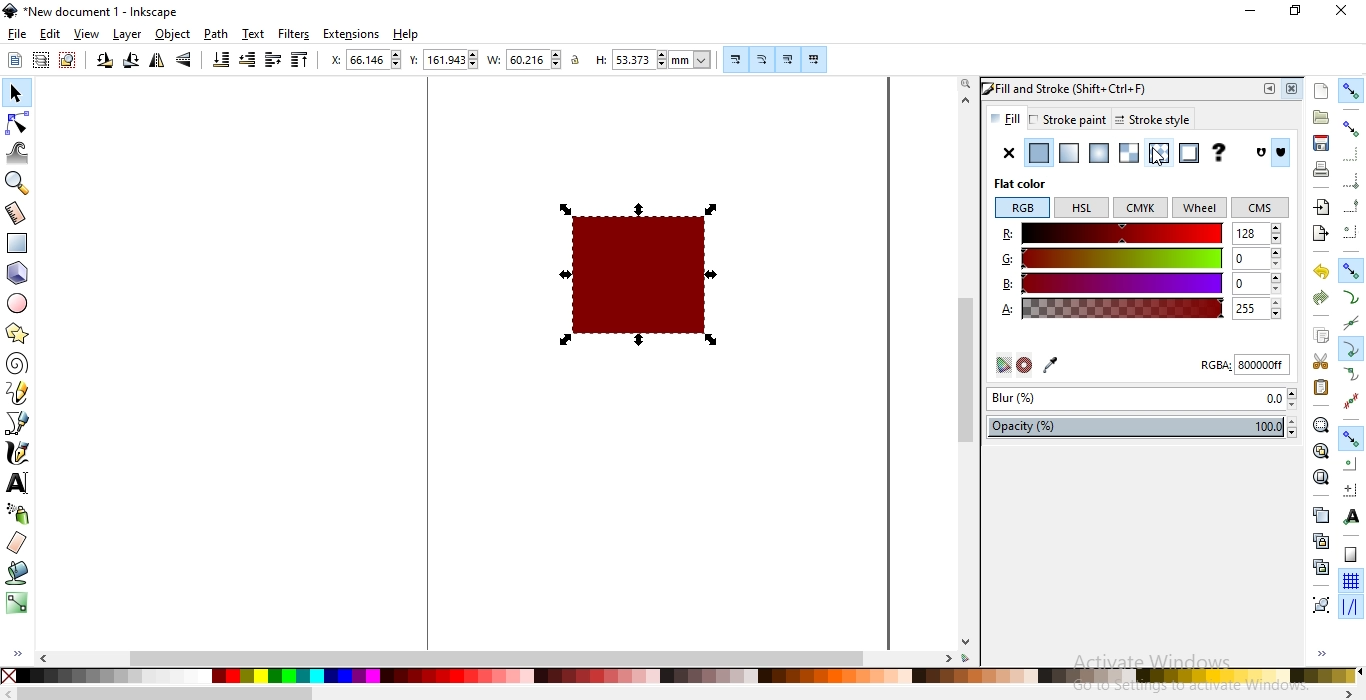  What do you see at coordinates (1054, 364) in the screenshot?
I see `pick colors from image` at bounding box center [1054, 364].